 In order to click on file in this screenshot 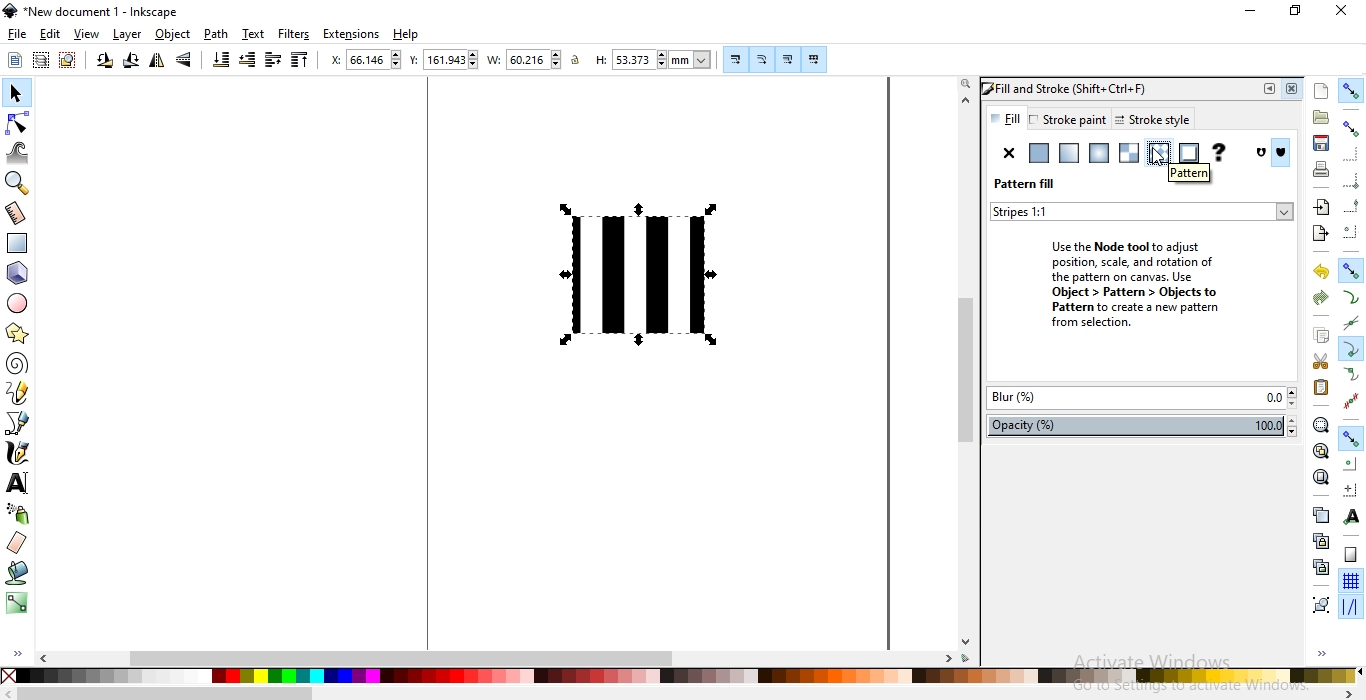, I will do `click(18, 35)`.